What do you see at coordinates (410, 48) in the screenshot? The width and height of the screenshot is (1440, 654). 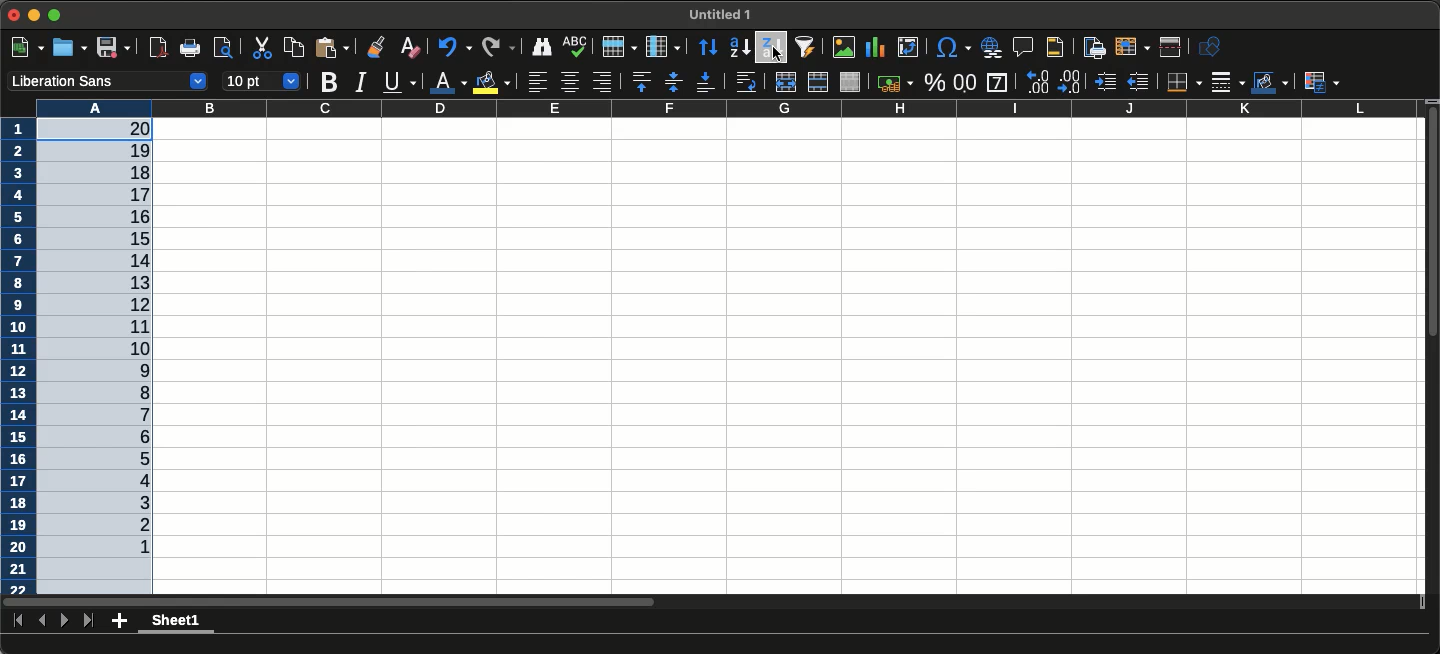 I see `Clear direct formatting` at bounding box center [410, 48].